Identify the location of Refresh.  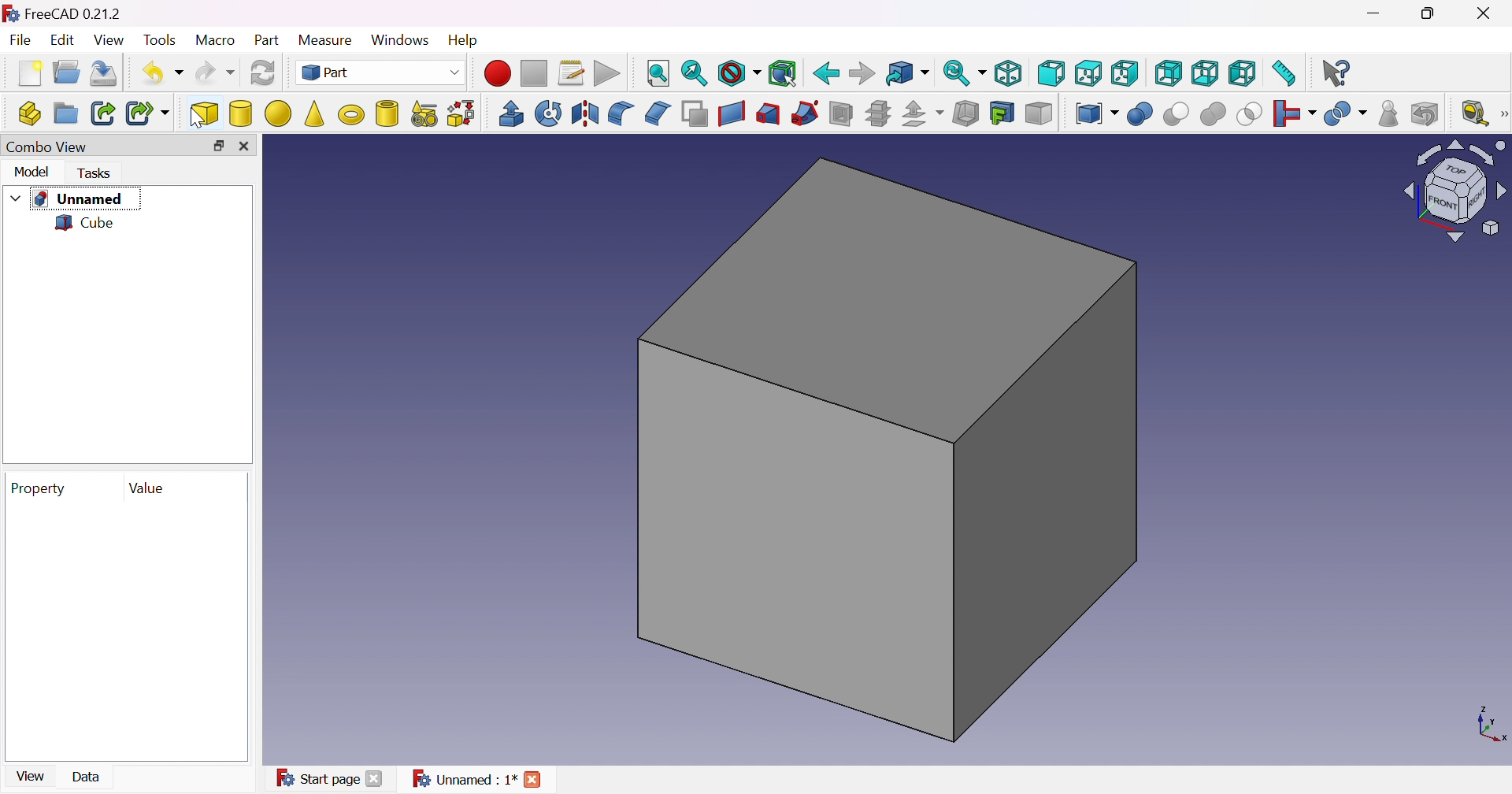
(263, 74).